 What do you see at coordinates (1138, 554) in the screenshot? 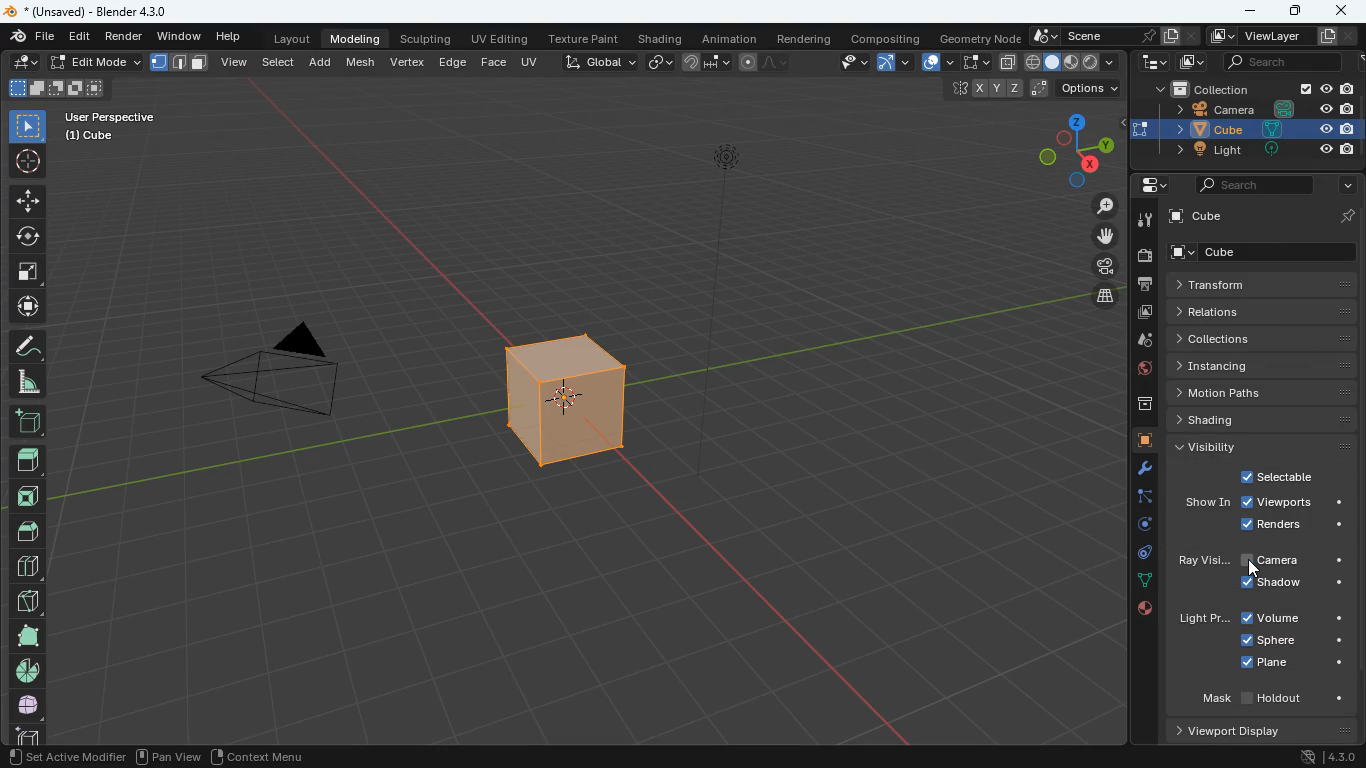
I see `control` at bounding box center [1138, 554].